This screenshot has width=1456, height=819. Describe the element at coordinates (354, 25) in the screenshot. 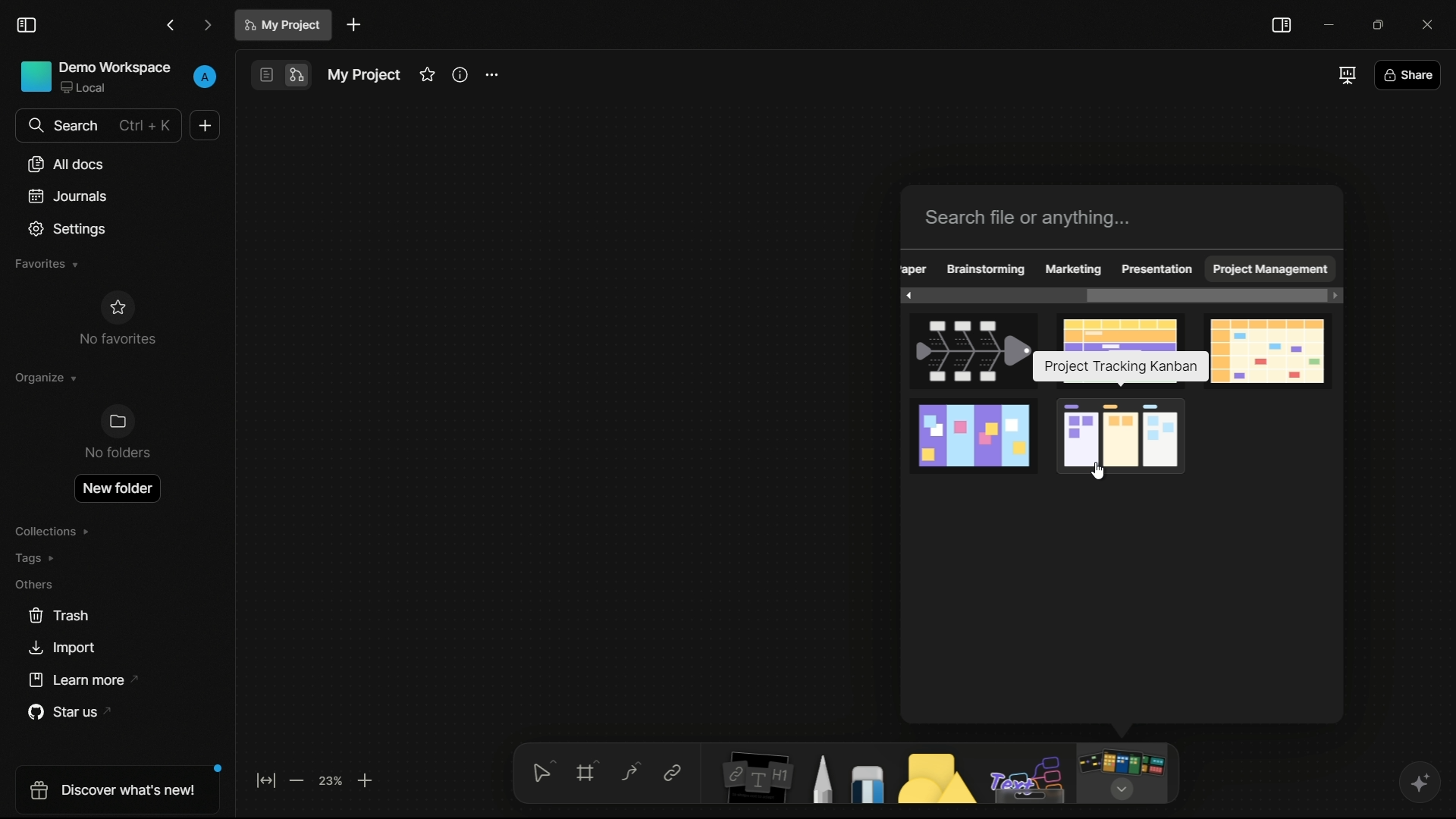

I see `new document` at that location.